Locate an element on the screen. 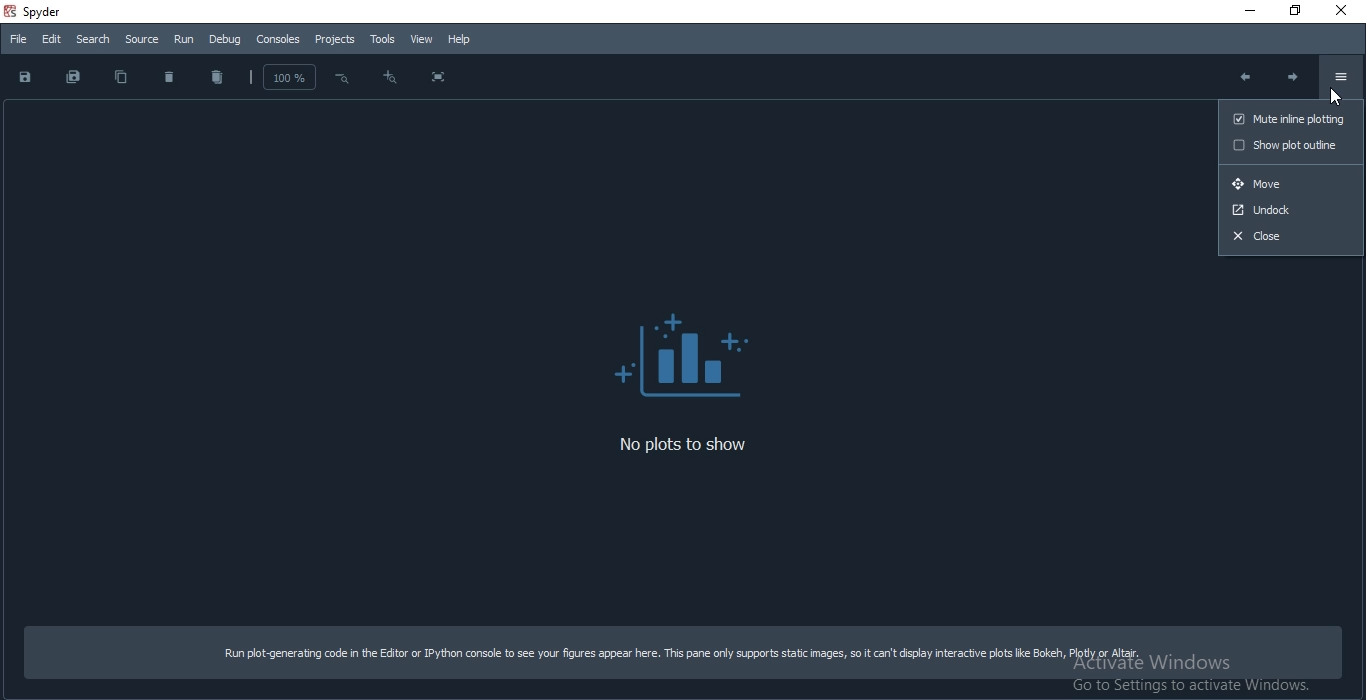  close is located at coordinates (1293, 236).